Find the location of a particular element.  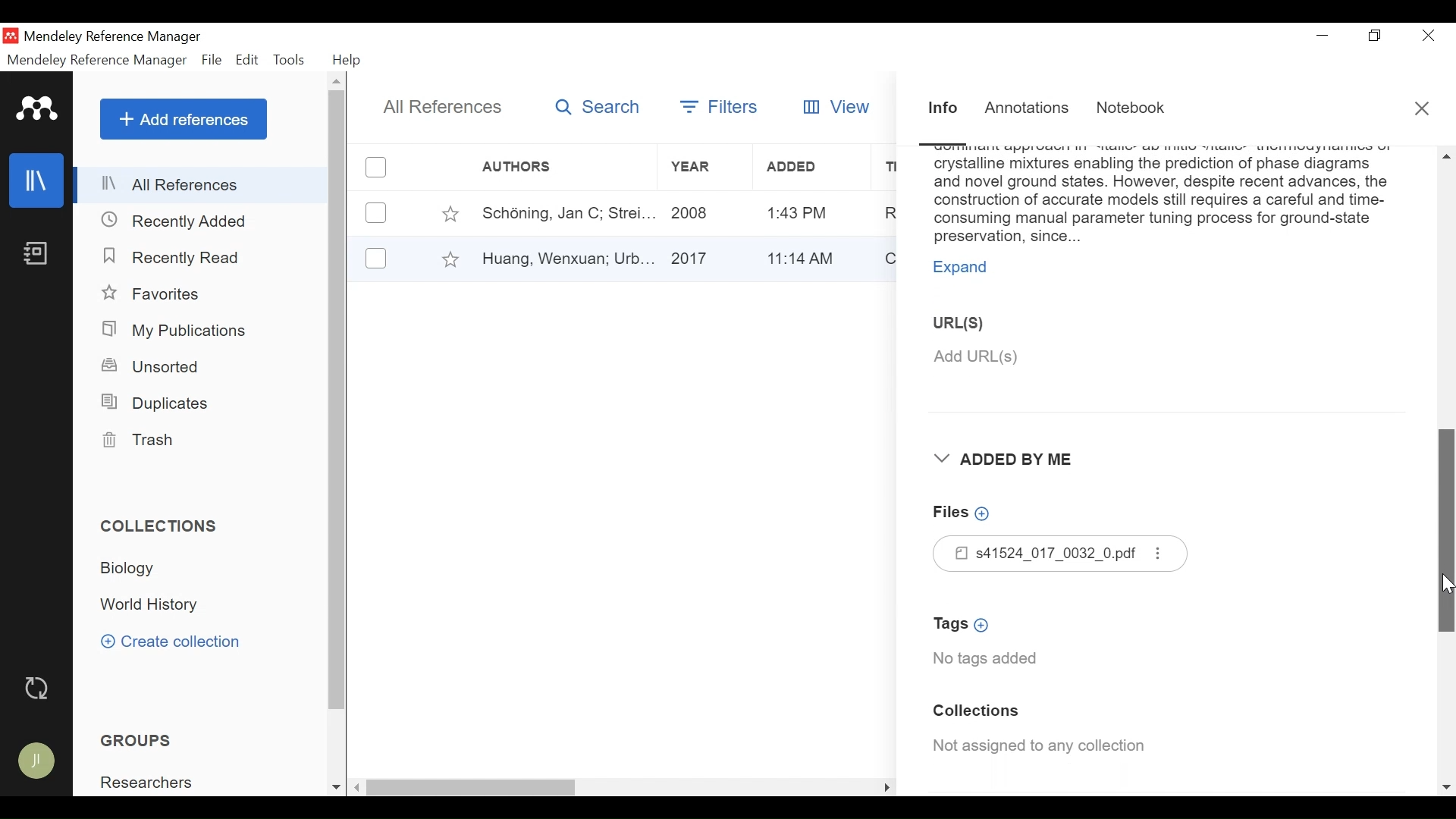

Search is located at coordinates (598, 107).